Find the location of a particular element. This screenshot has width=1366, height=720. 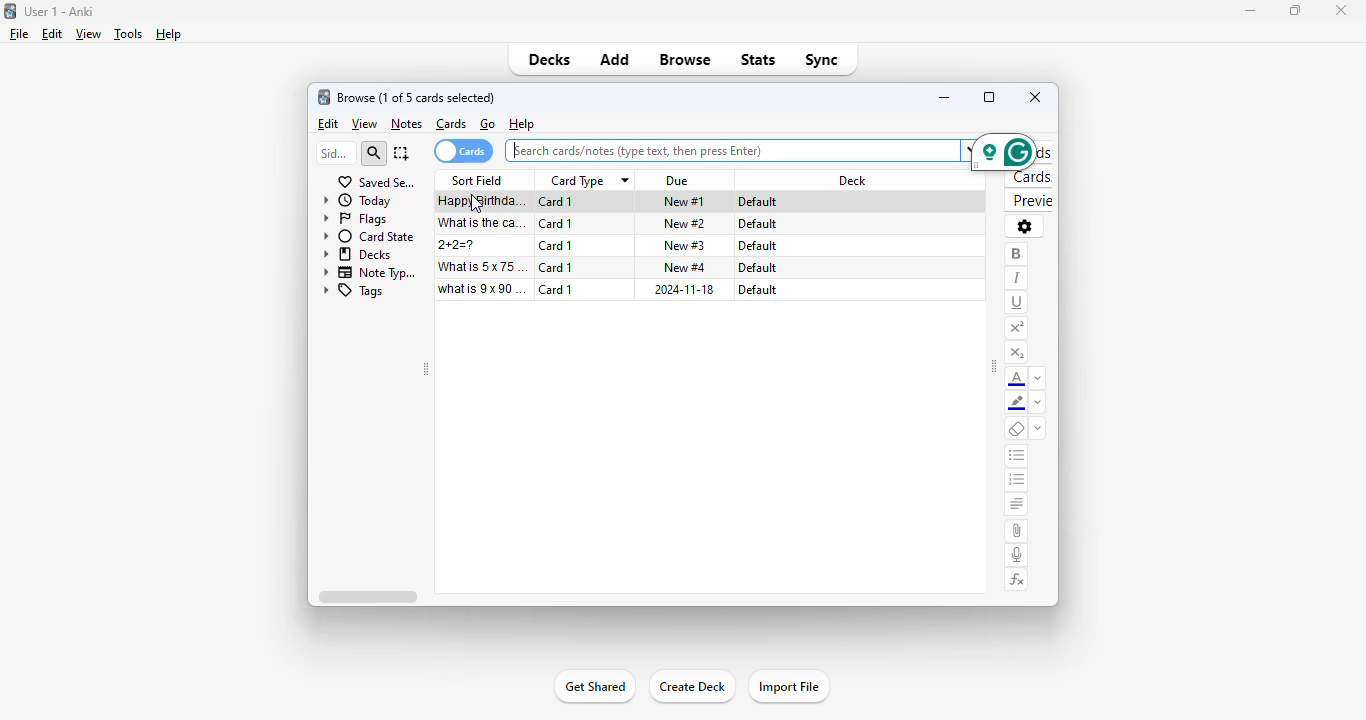

default is located at coordinates (758, 268).